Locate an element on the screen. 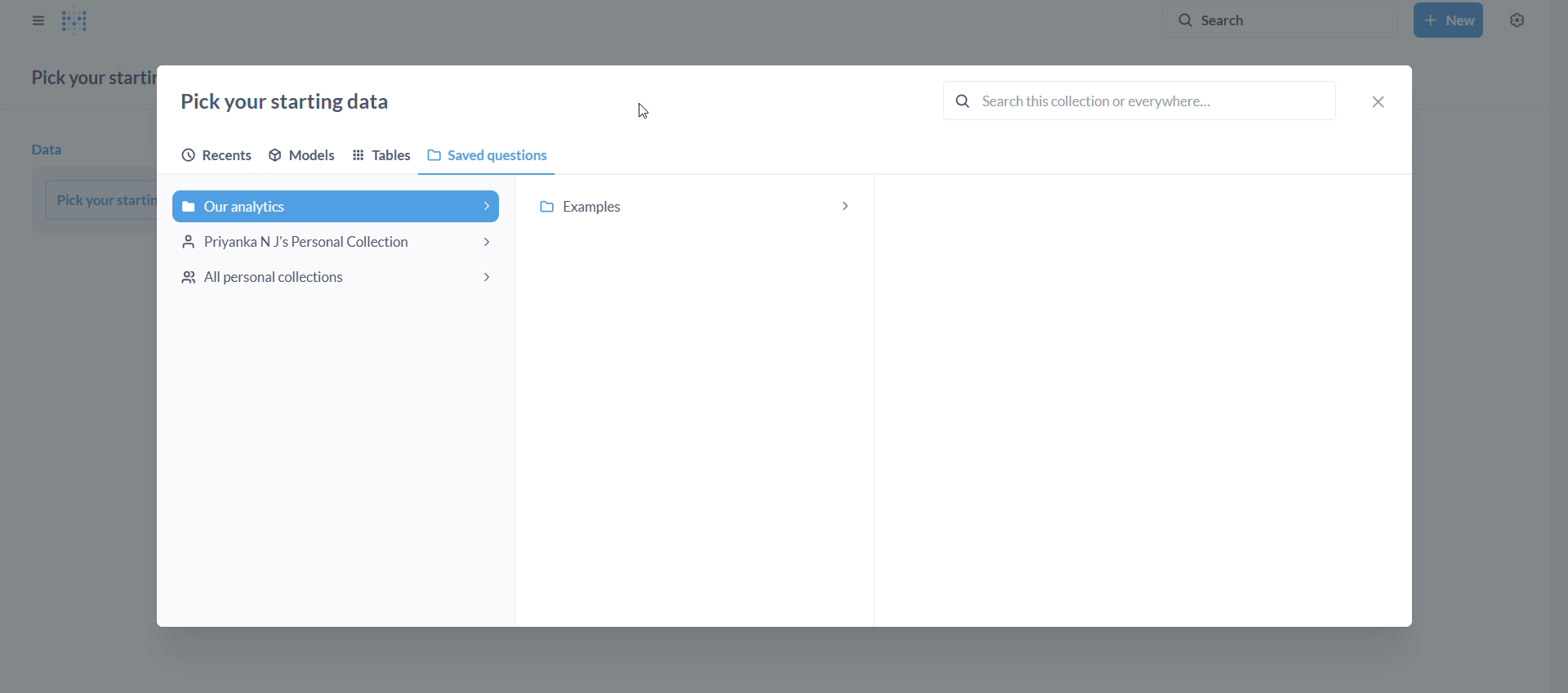 The image size is (1568, 693). our analytics is located at coordinates (338, 206).